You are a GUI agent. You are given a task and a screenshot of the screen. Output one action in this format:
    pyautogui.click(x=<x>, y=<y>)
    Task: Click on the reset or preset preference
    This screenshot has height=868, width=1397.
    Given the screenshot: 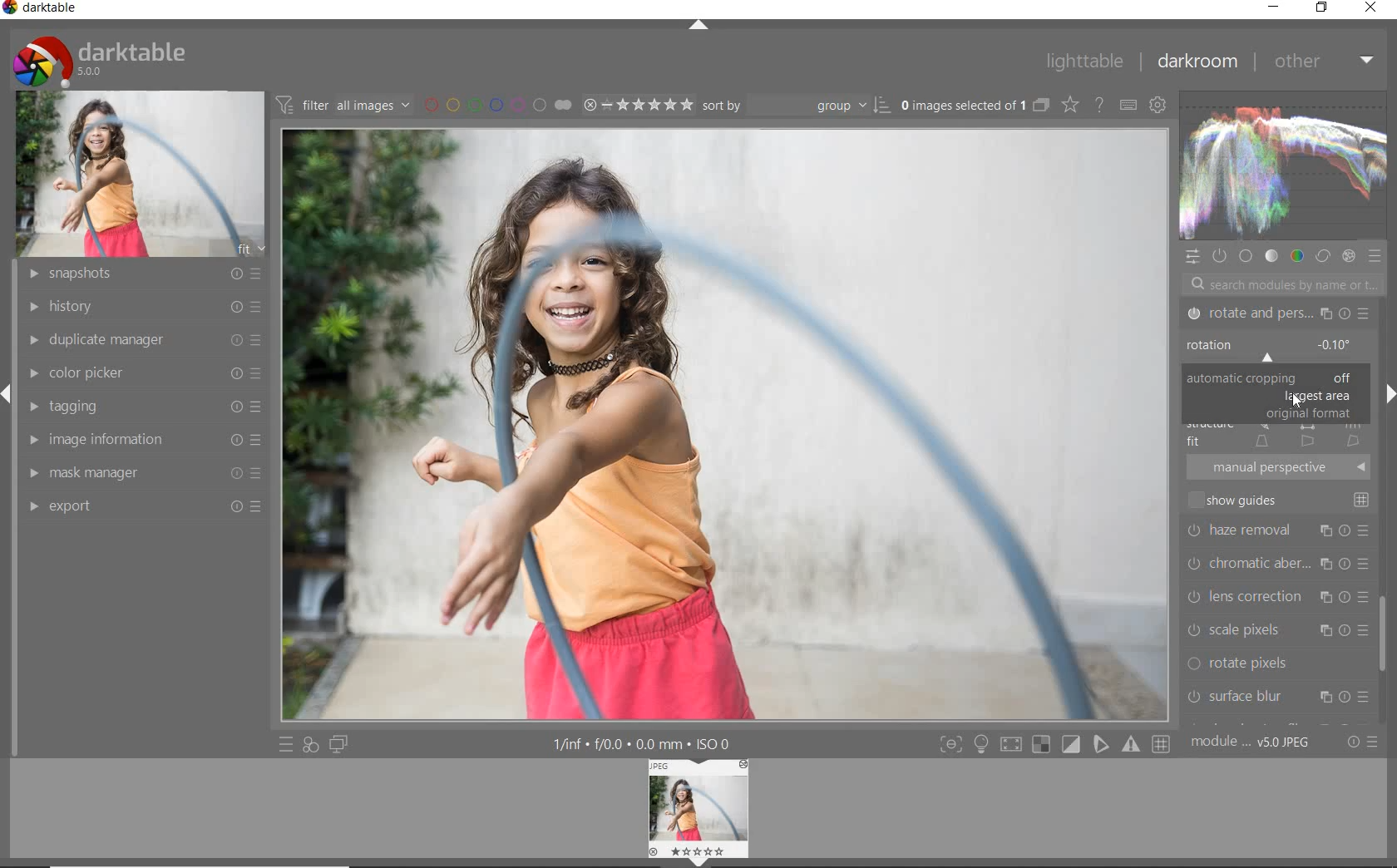 What is the action you would take?
    pyautogui.click(x=1359, y=742)
    